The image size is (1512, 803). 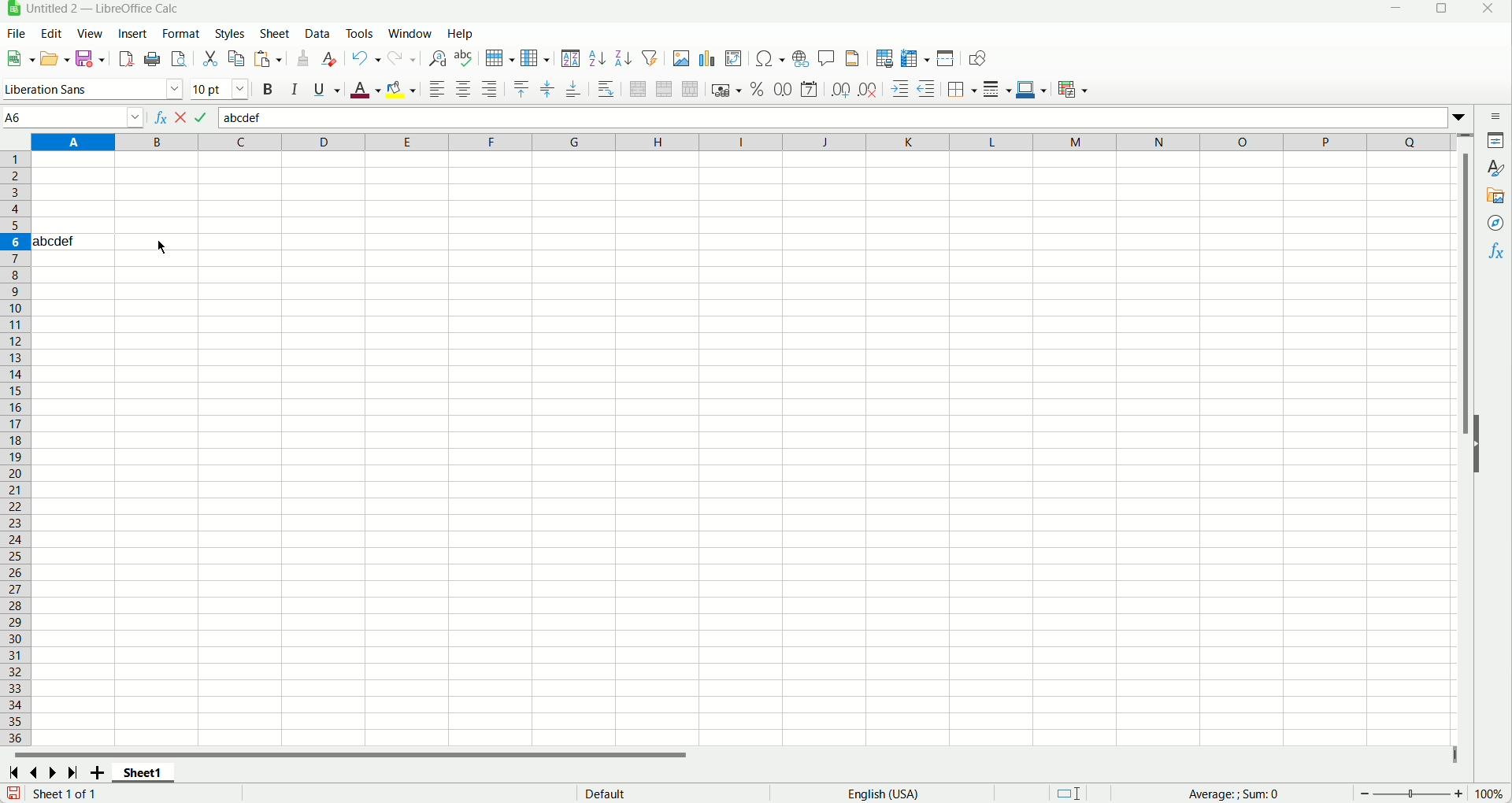 What do you see at coordinates (573, 90) in the screenshot?
I see `align bottom` at bounding box center [573, 90].